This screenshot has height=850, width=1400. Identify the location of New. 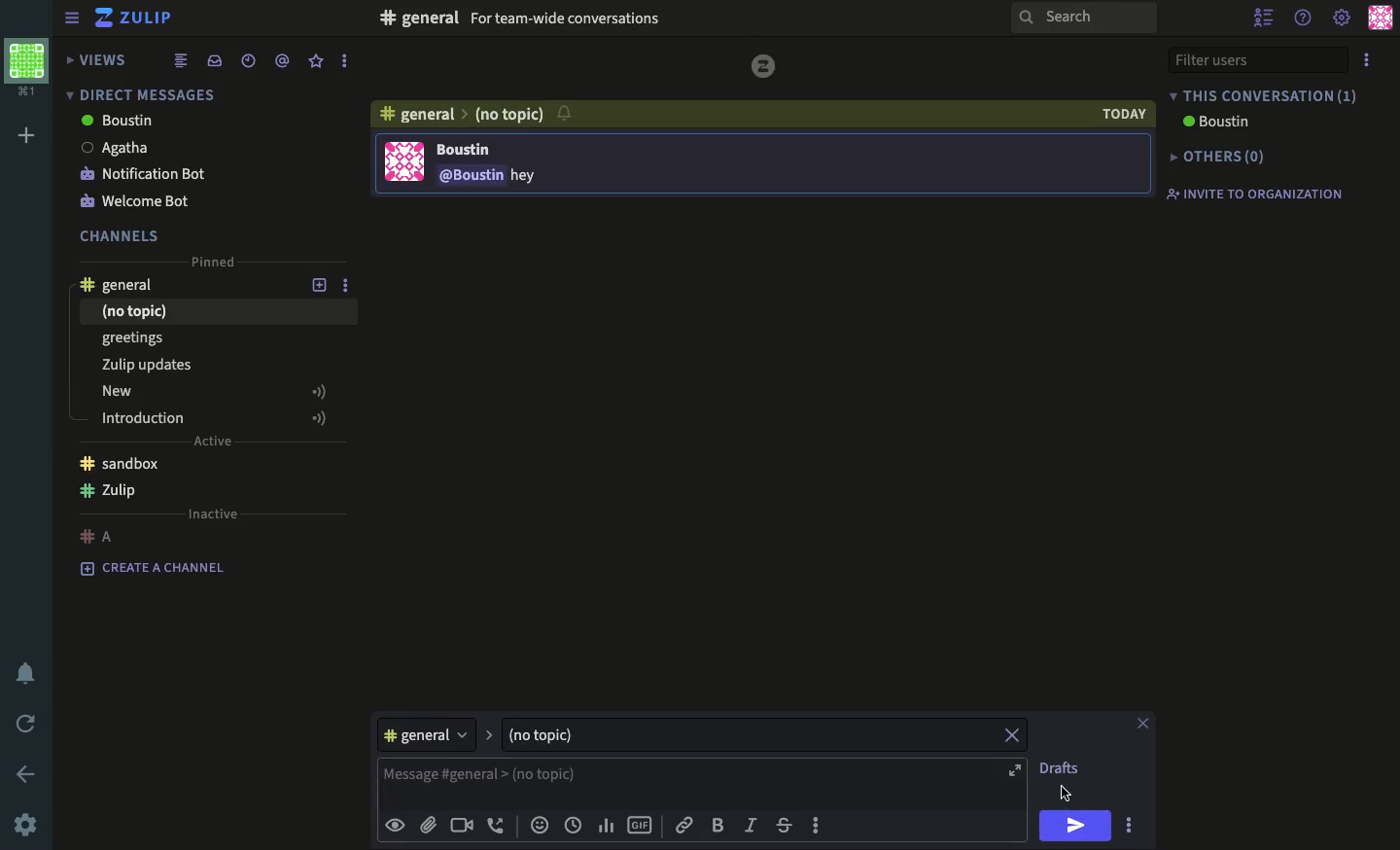
(216, 389).